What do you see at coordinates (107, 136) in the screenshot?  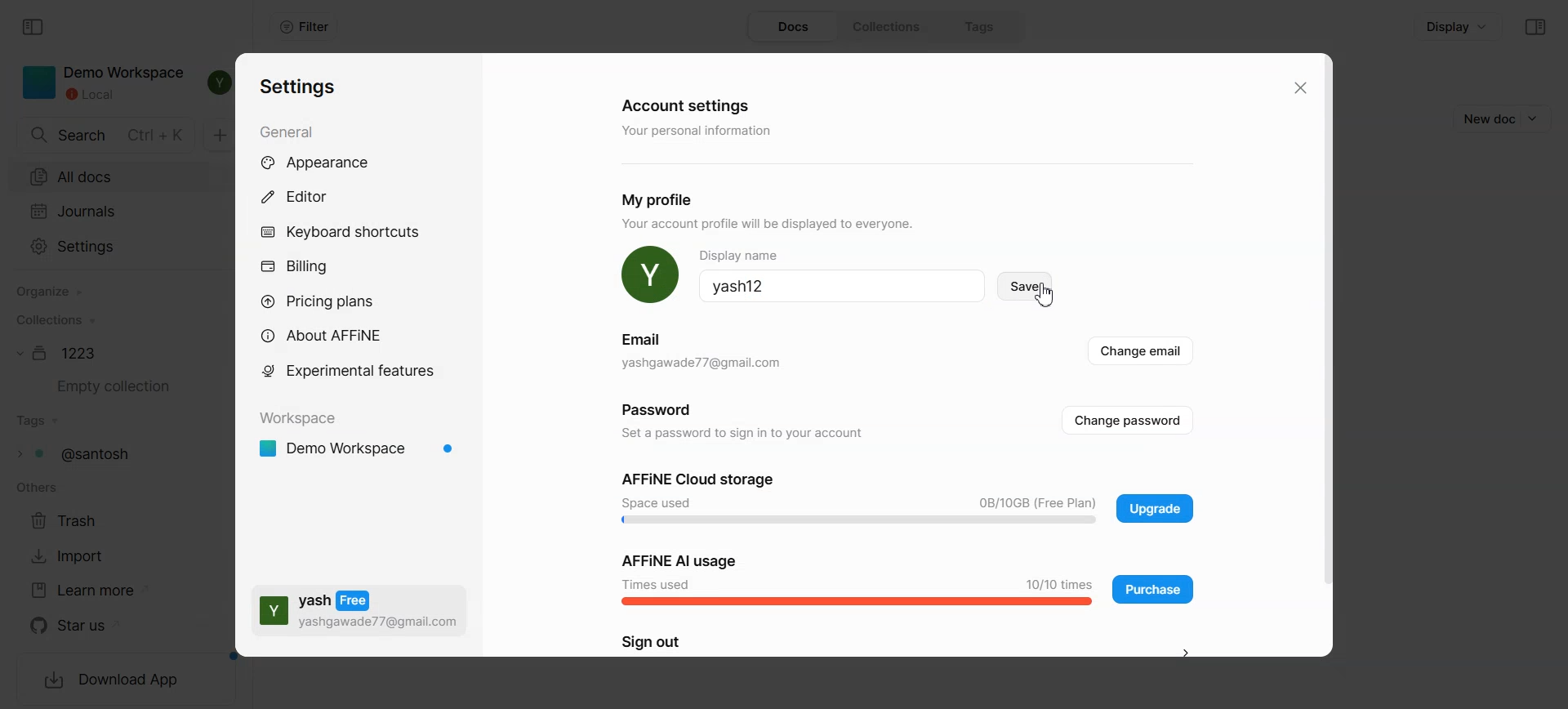 I see `Search doc` at bounding box center [107, 136].